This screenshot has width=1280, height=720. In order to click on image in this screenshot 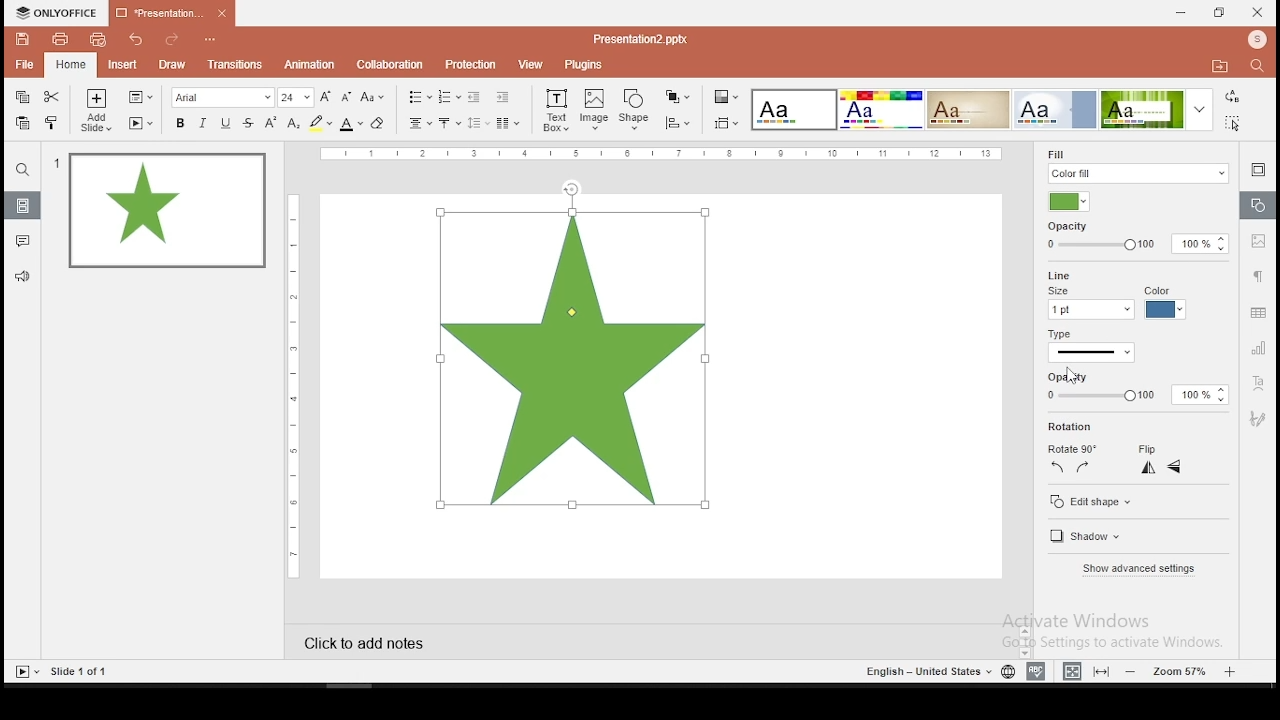, I will do `click(595, 109)`.